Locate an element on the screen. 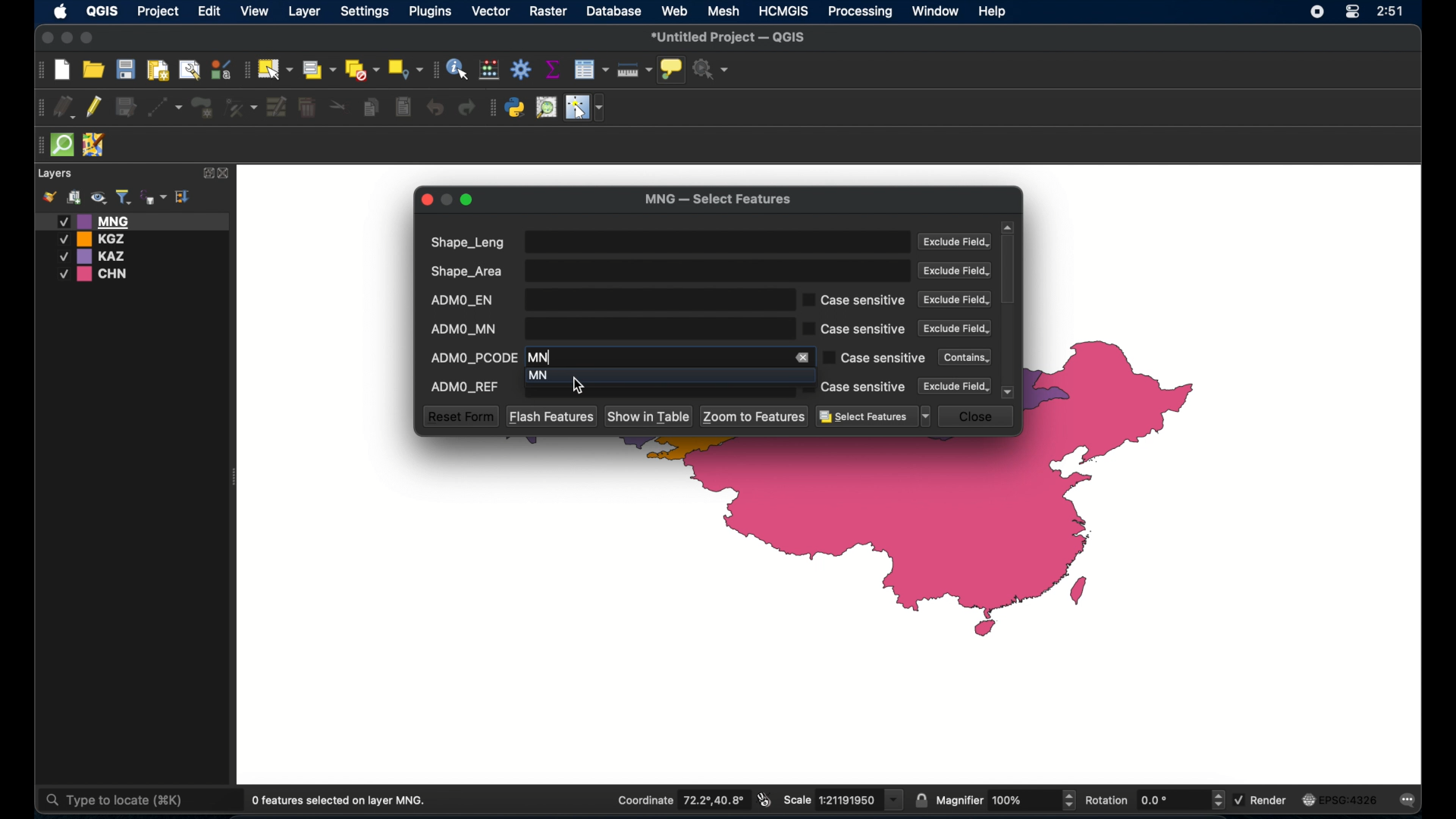 This screenshot has height=819, width=1456. project is located at coordinates (158, 12).